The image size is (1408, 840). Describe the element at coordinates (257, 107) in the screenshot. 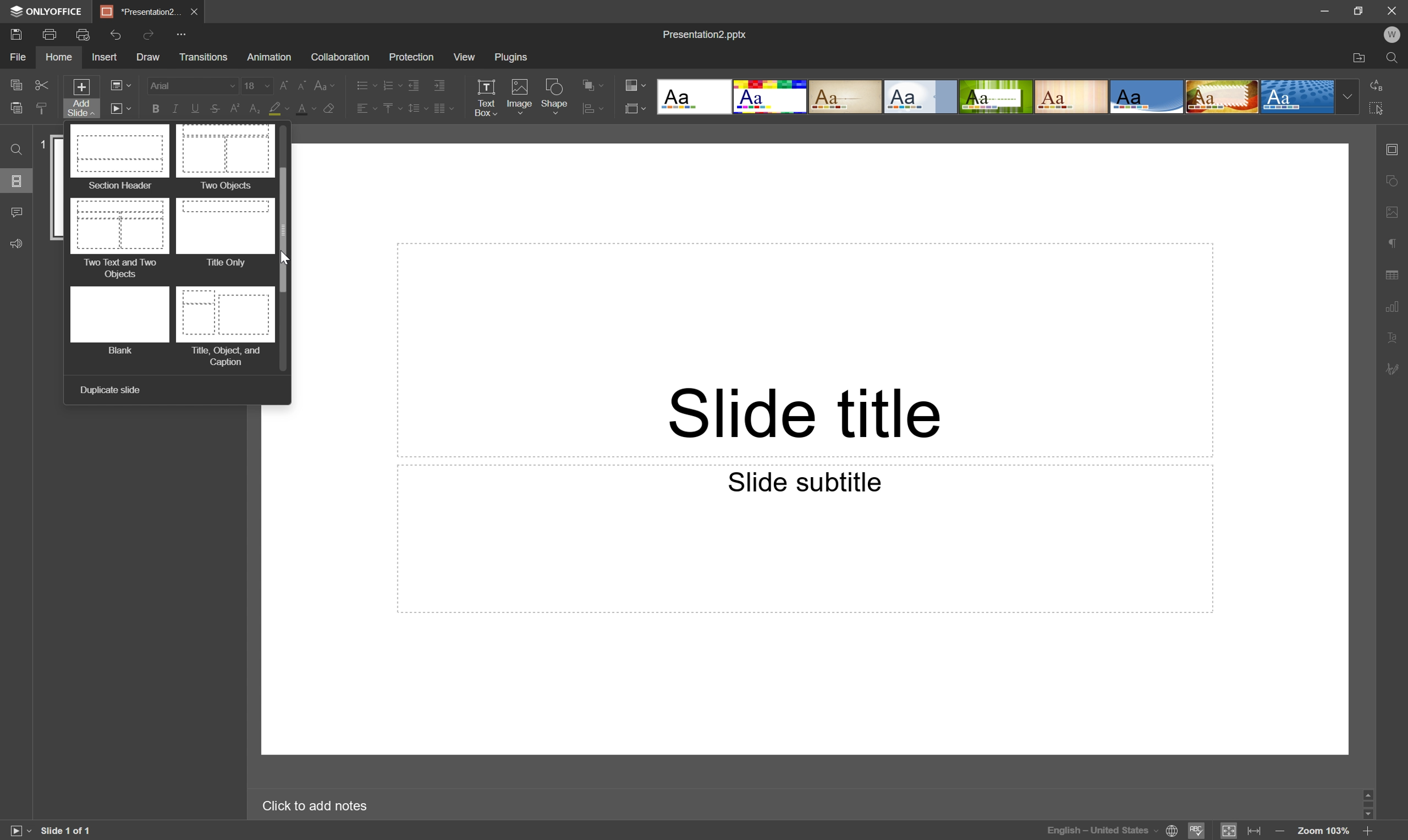

I see `Subscript` at that location.